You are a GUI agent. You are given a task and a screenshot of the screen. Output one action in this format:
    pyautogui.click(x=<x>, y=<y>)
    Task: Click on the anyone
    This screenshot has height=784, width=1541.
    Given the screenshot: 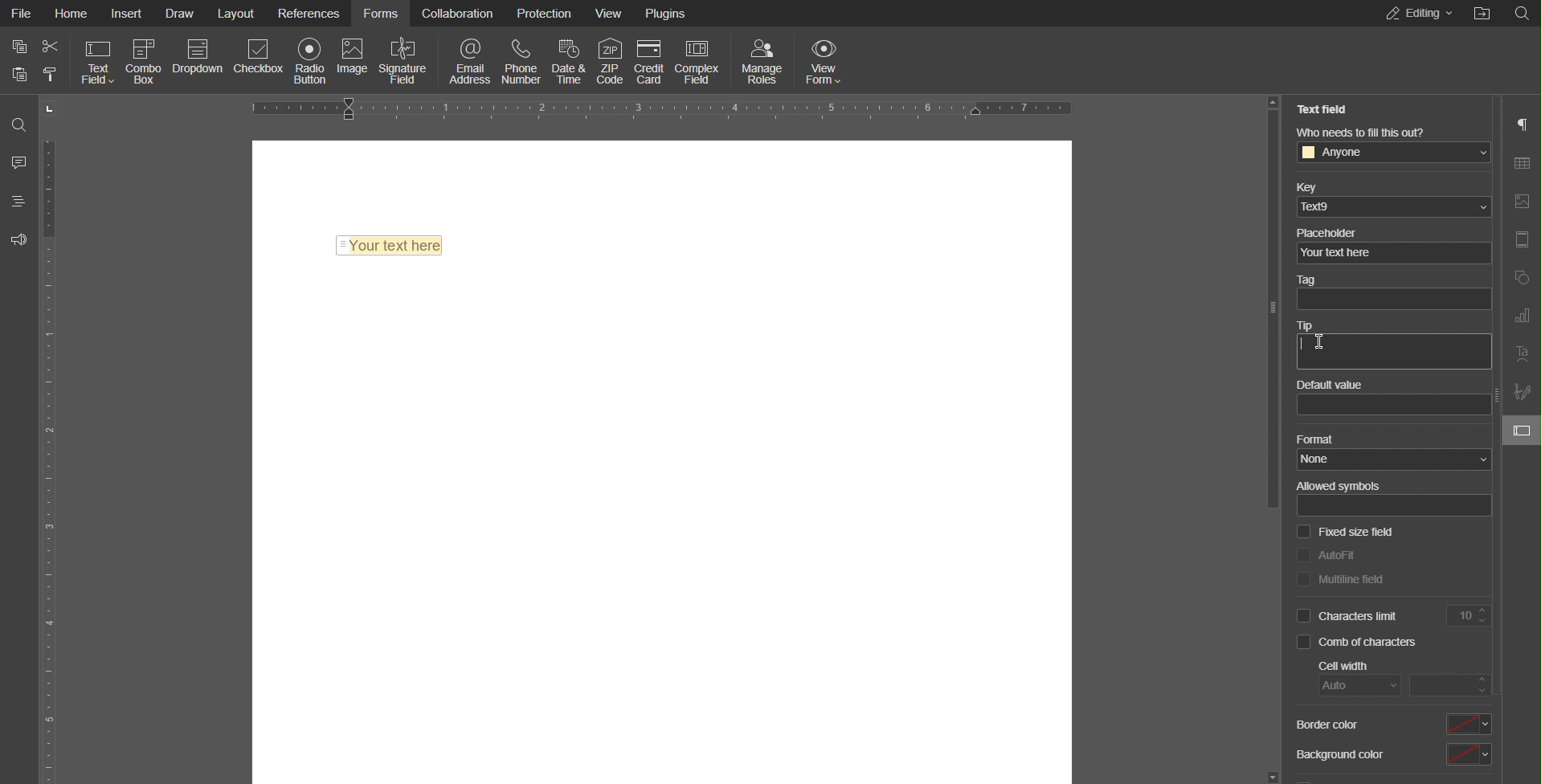 What is the action you would take?
    pyautogui.click(x=1396, y=153)
    